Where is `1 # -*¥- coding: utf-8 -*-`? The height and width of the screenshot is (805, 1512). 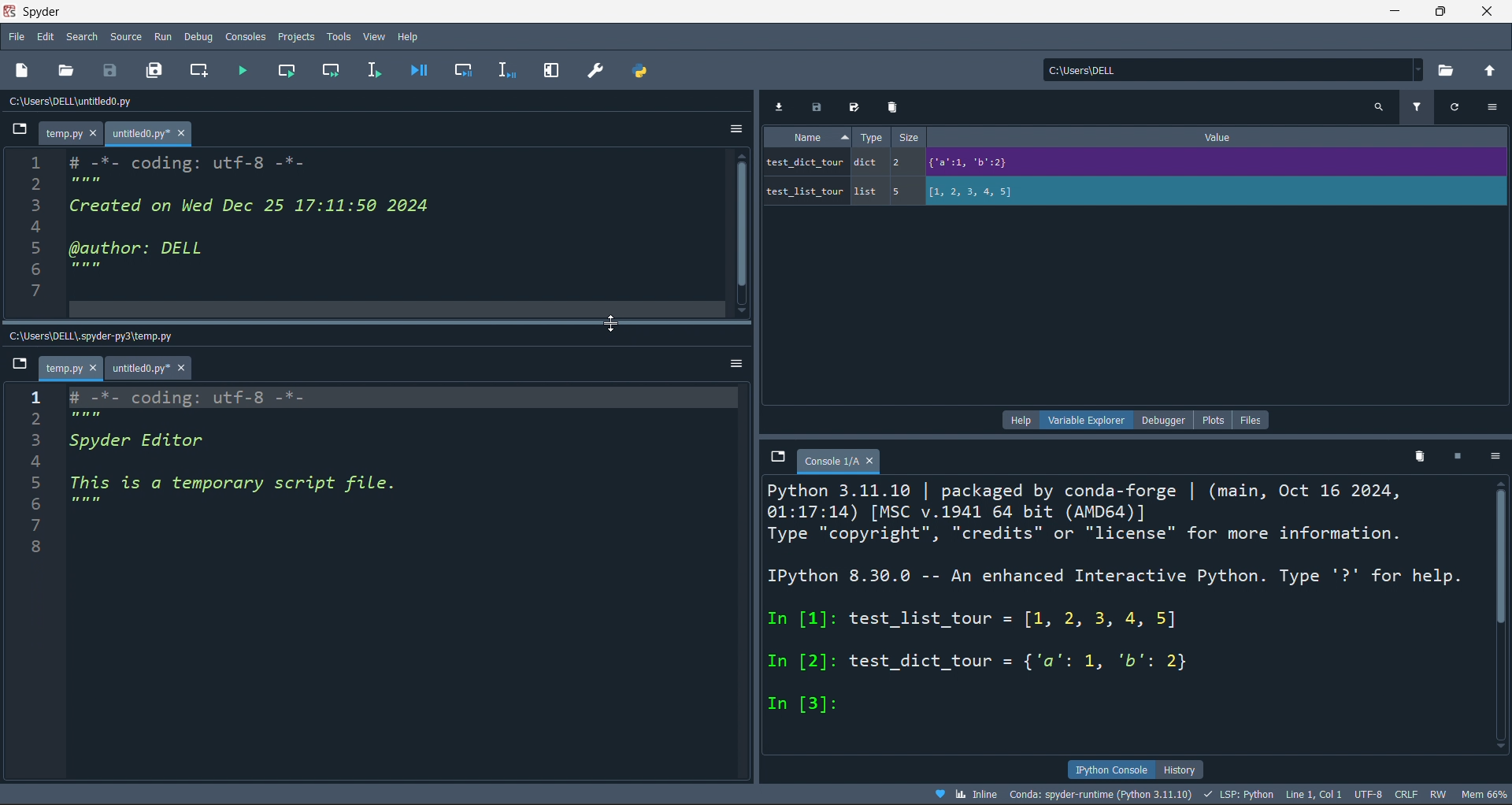
1 # -*¥- coding: utf-8 -*- is located at coordinates (205, 395).